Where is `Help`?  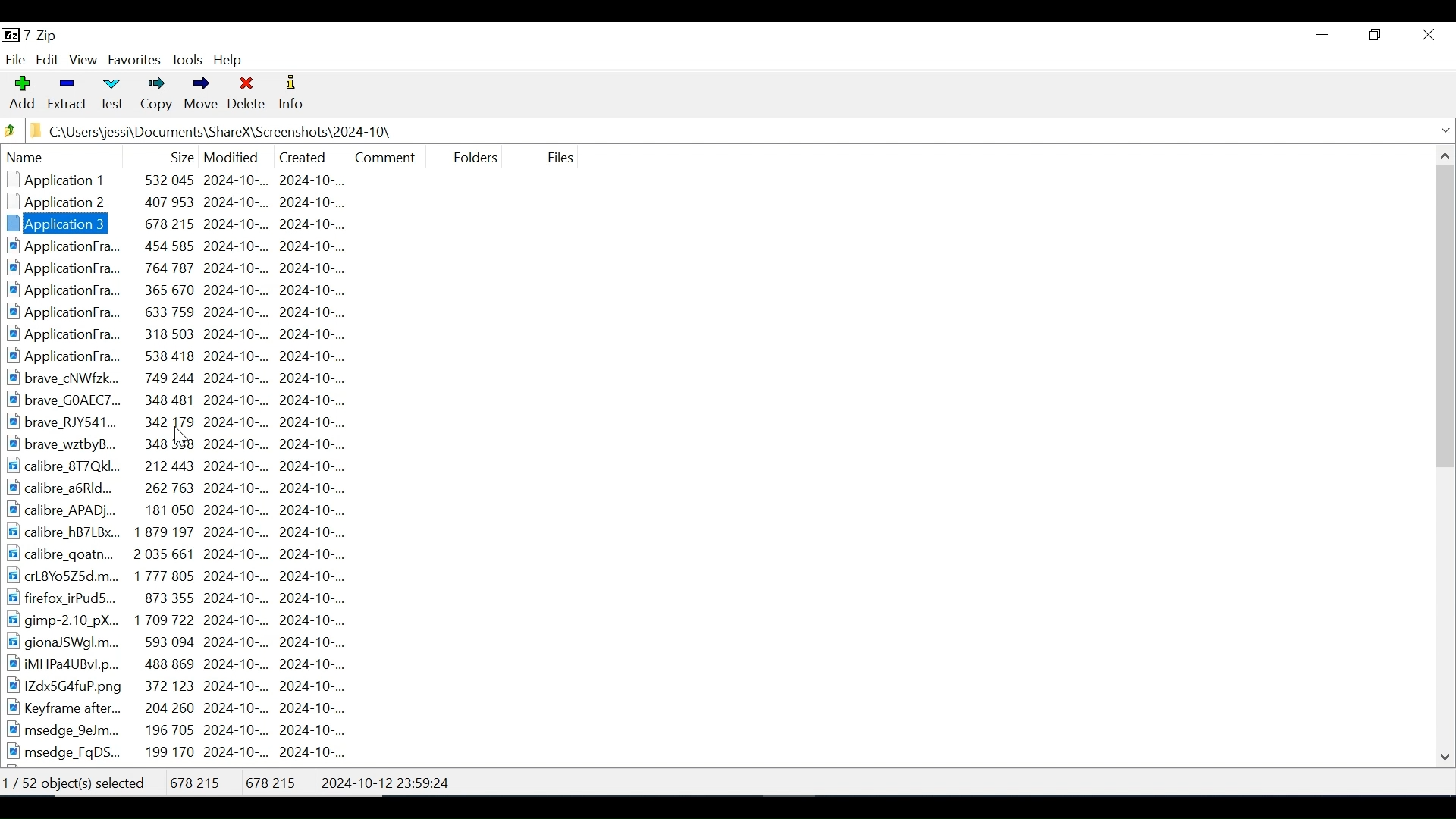 Help is located at coordinates (230, 59).